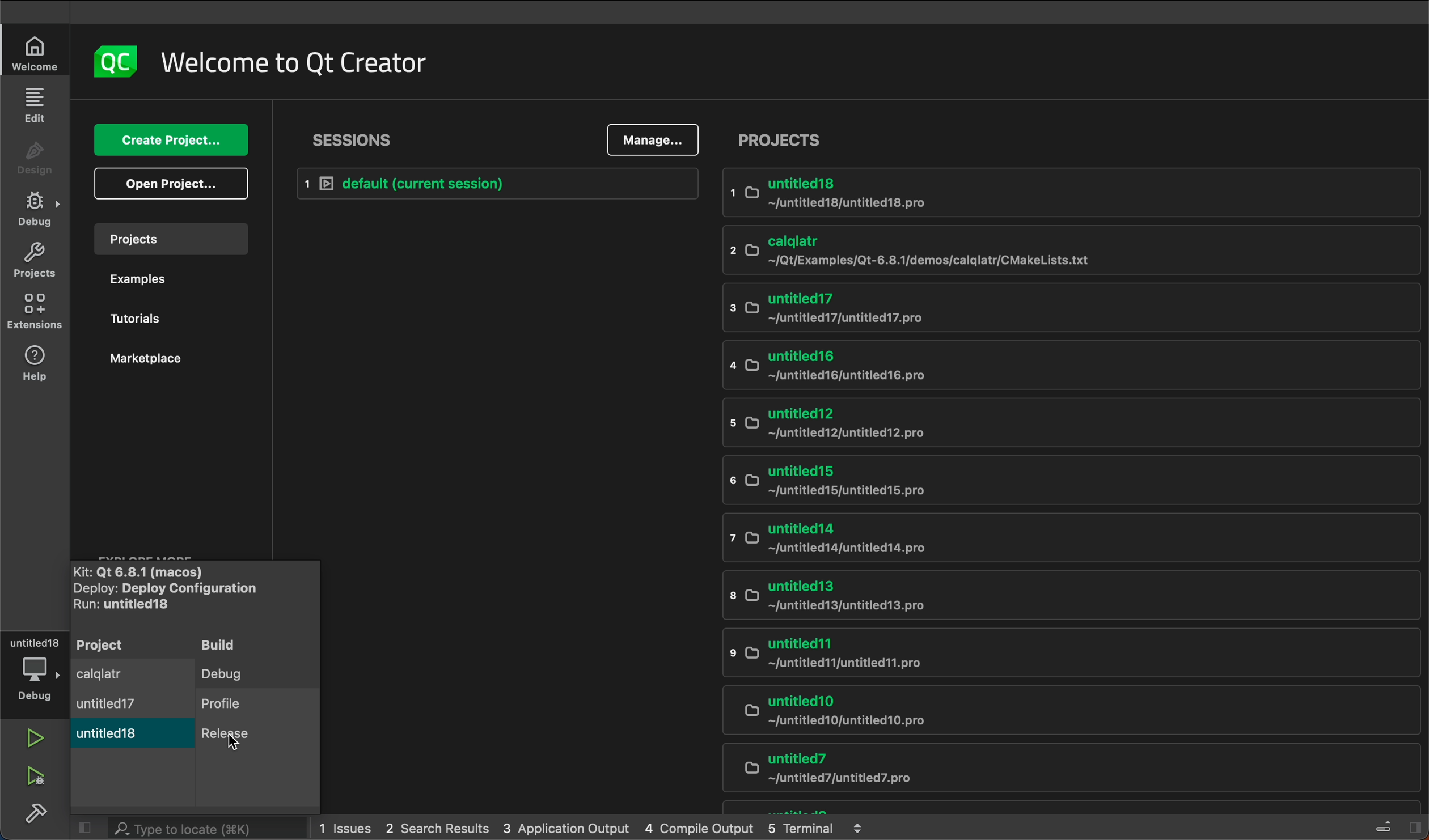 The width and height of the screenshot is (1429, 840). Describe the element at coordinates (113, 738) in the screenshot. I see `untitled 18` at that location.